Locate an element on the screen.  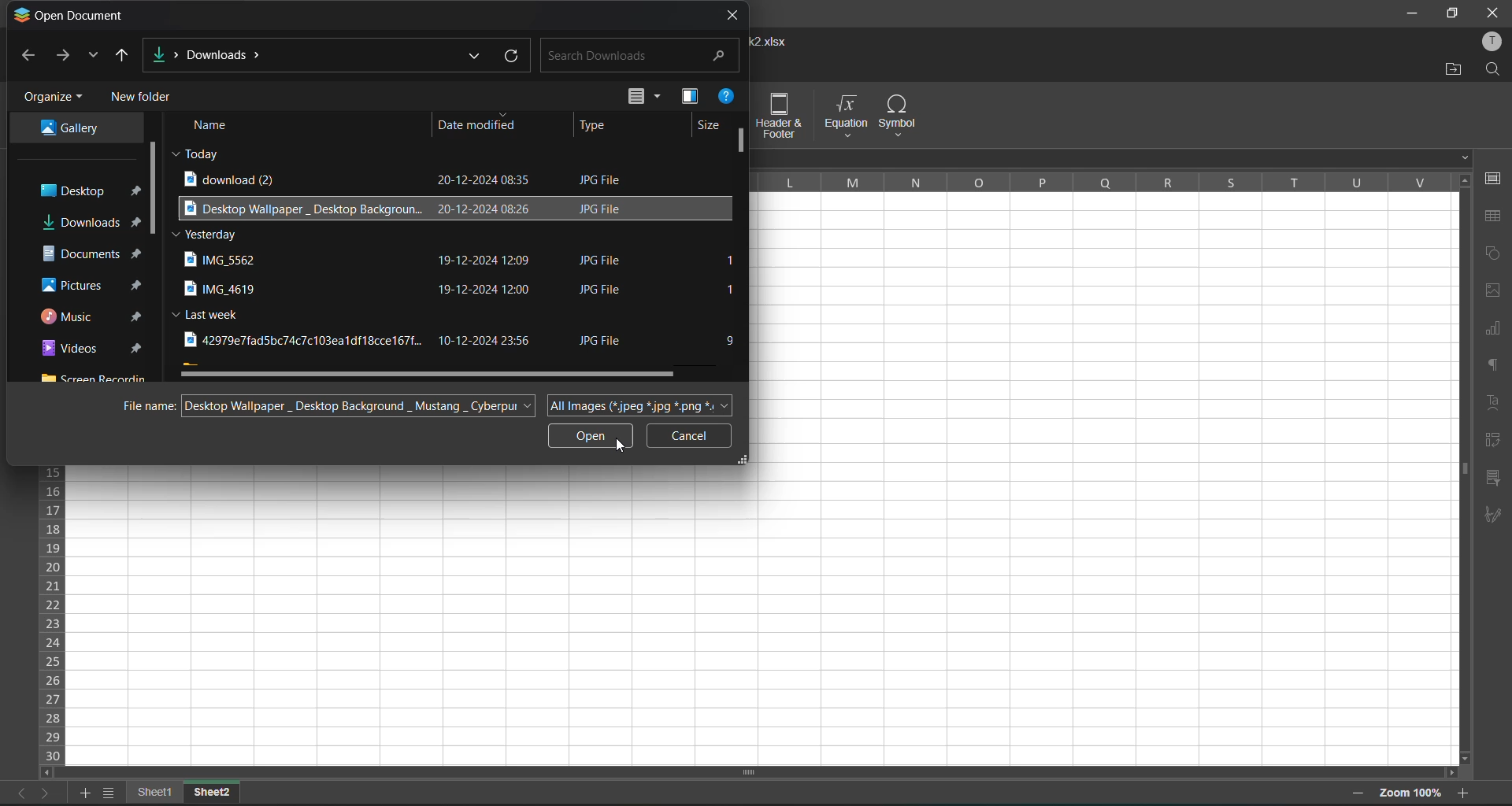
open is located at coordinates (590, 436).